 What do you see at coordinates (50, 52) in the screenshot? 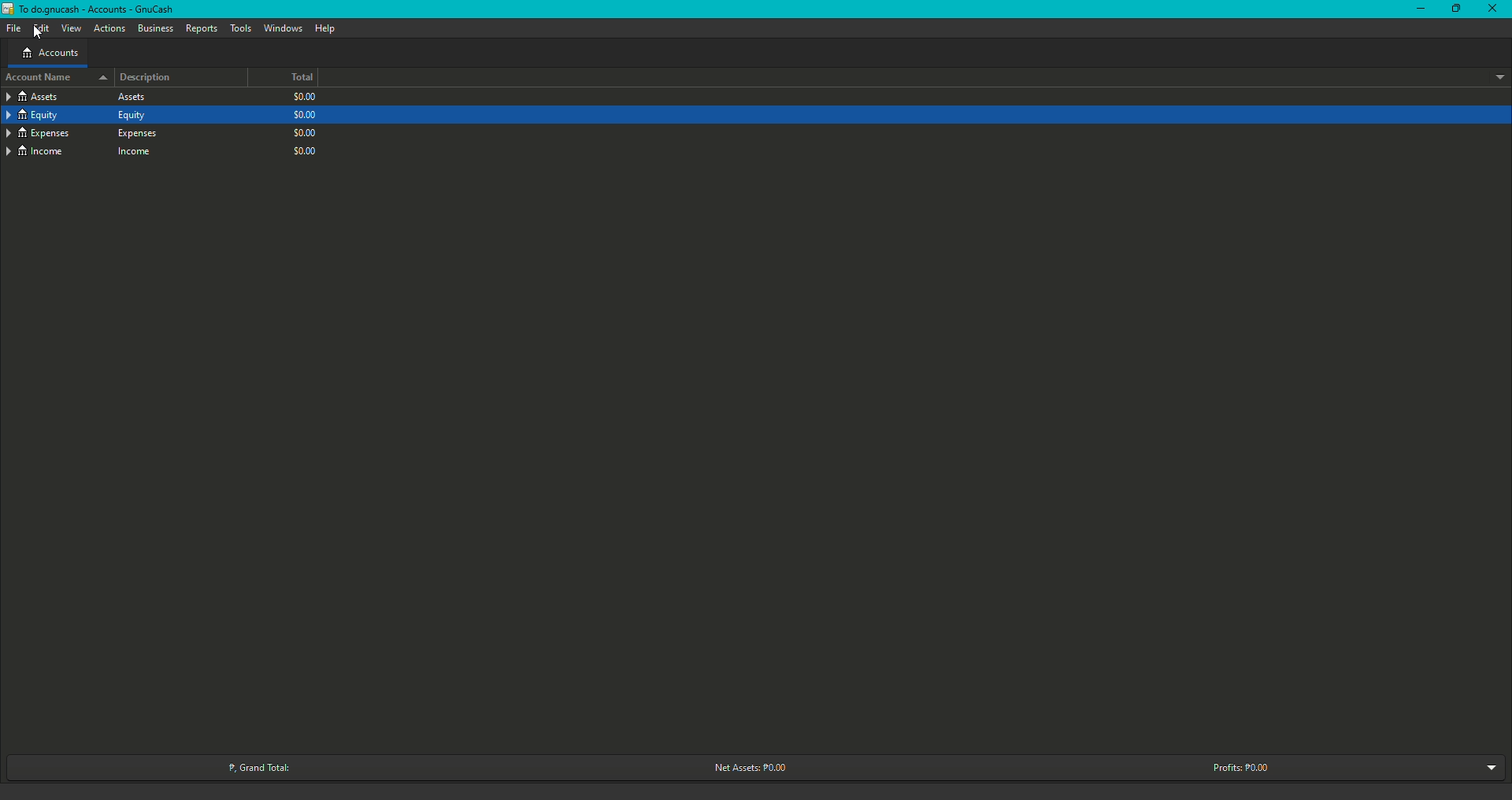
I see `Accounts` at bounding box center [50, 52].